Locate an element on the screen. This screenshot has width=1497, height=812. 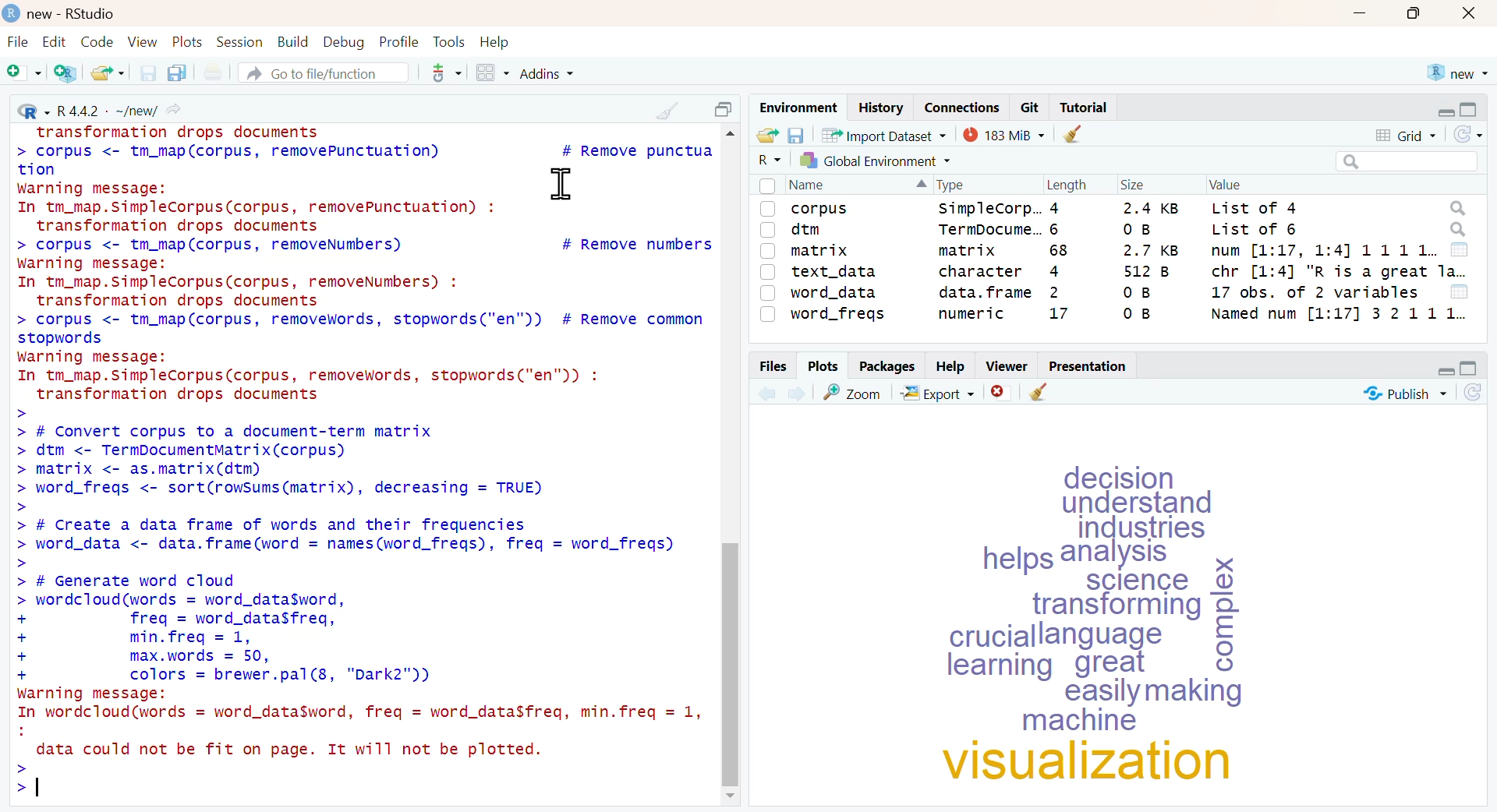
scroll bar is located at coordinates (732, 662).